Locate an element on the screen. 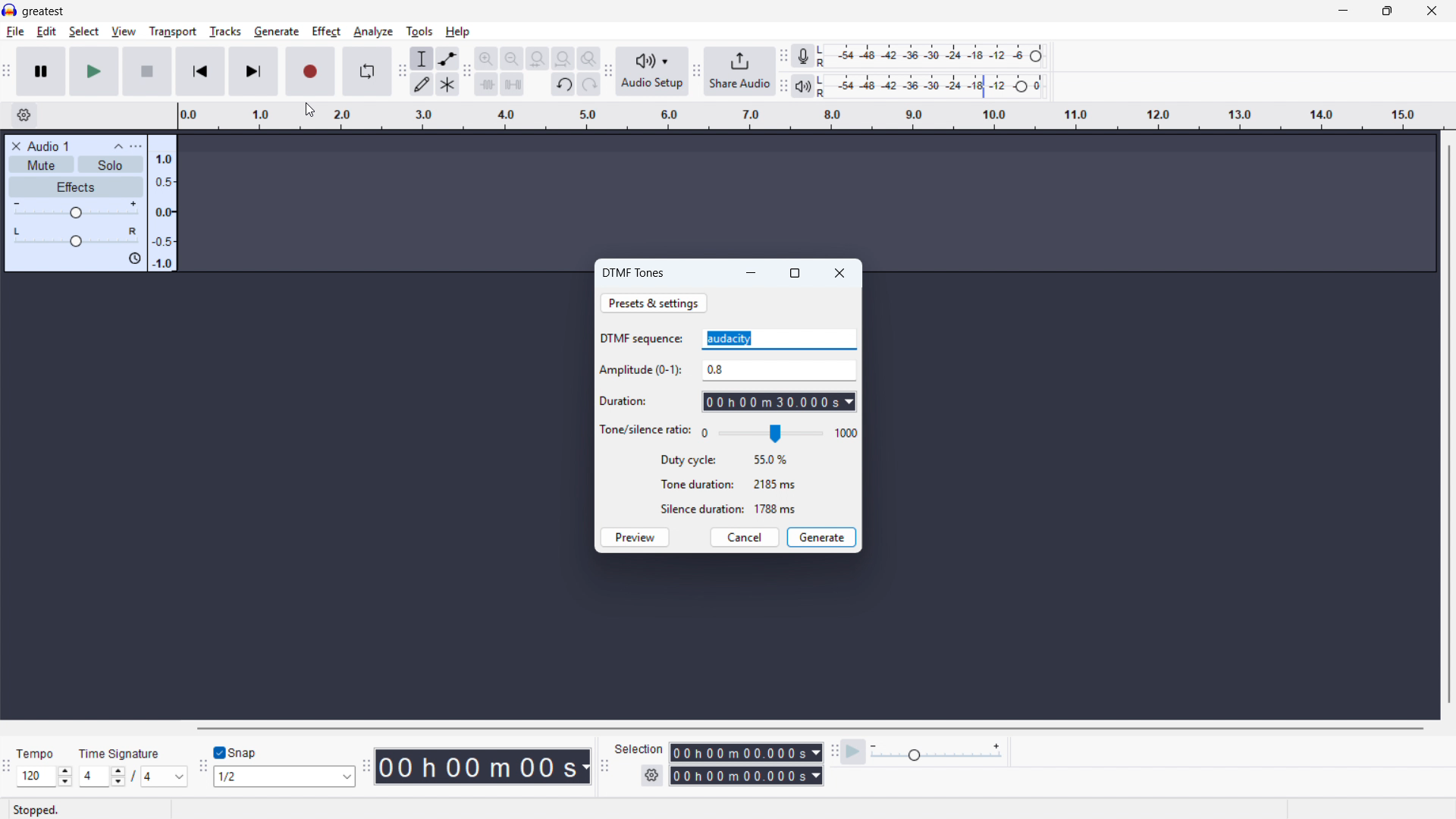  toggle zoom is located at coordinates (589, 58).